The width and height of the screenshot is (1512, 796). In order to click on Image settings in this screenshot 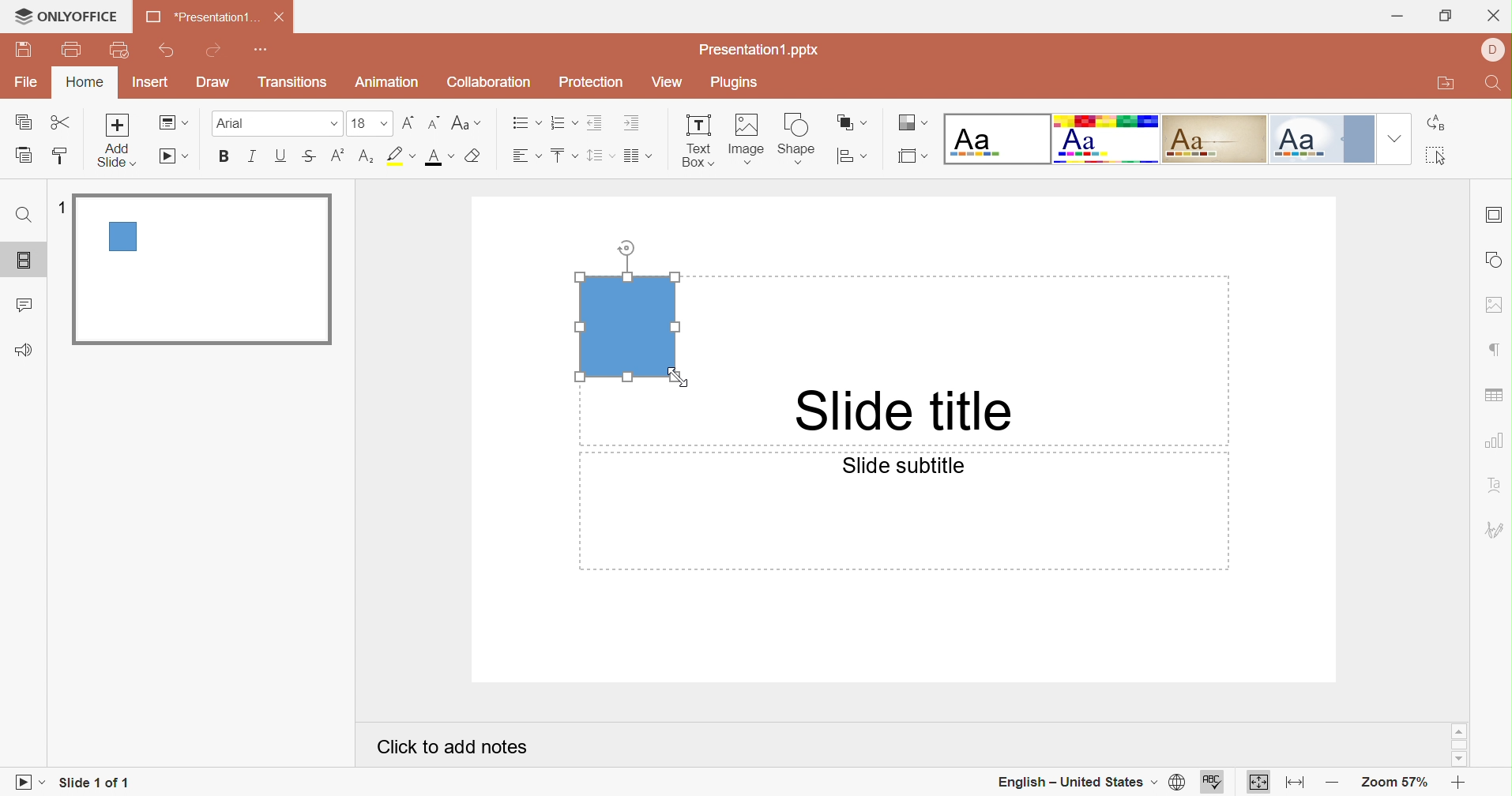, I will do `click(1493, 306)`.